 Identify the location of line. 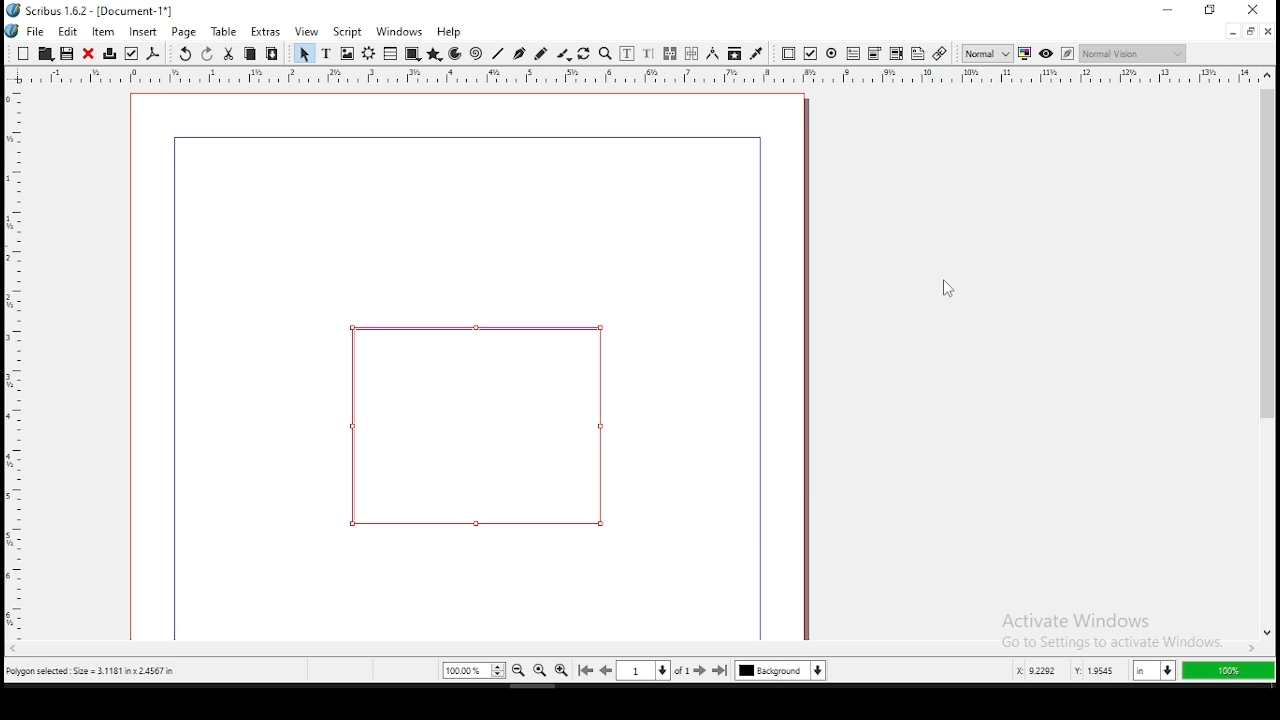
(498, 54).